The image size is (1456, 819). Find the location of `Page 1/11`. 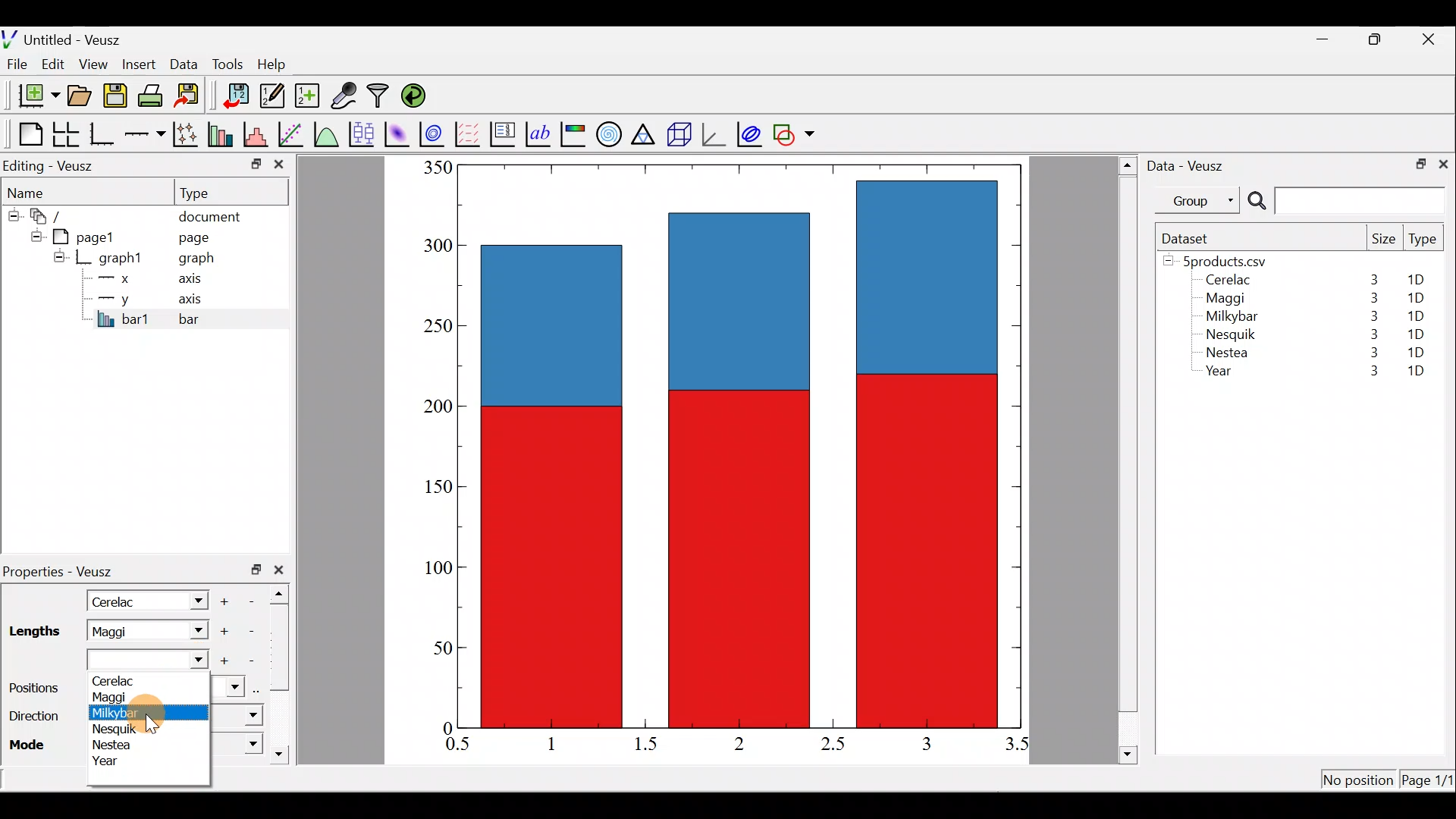

Page 1/11 is located at coordinates (1429, 783).